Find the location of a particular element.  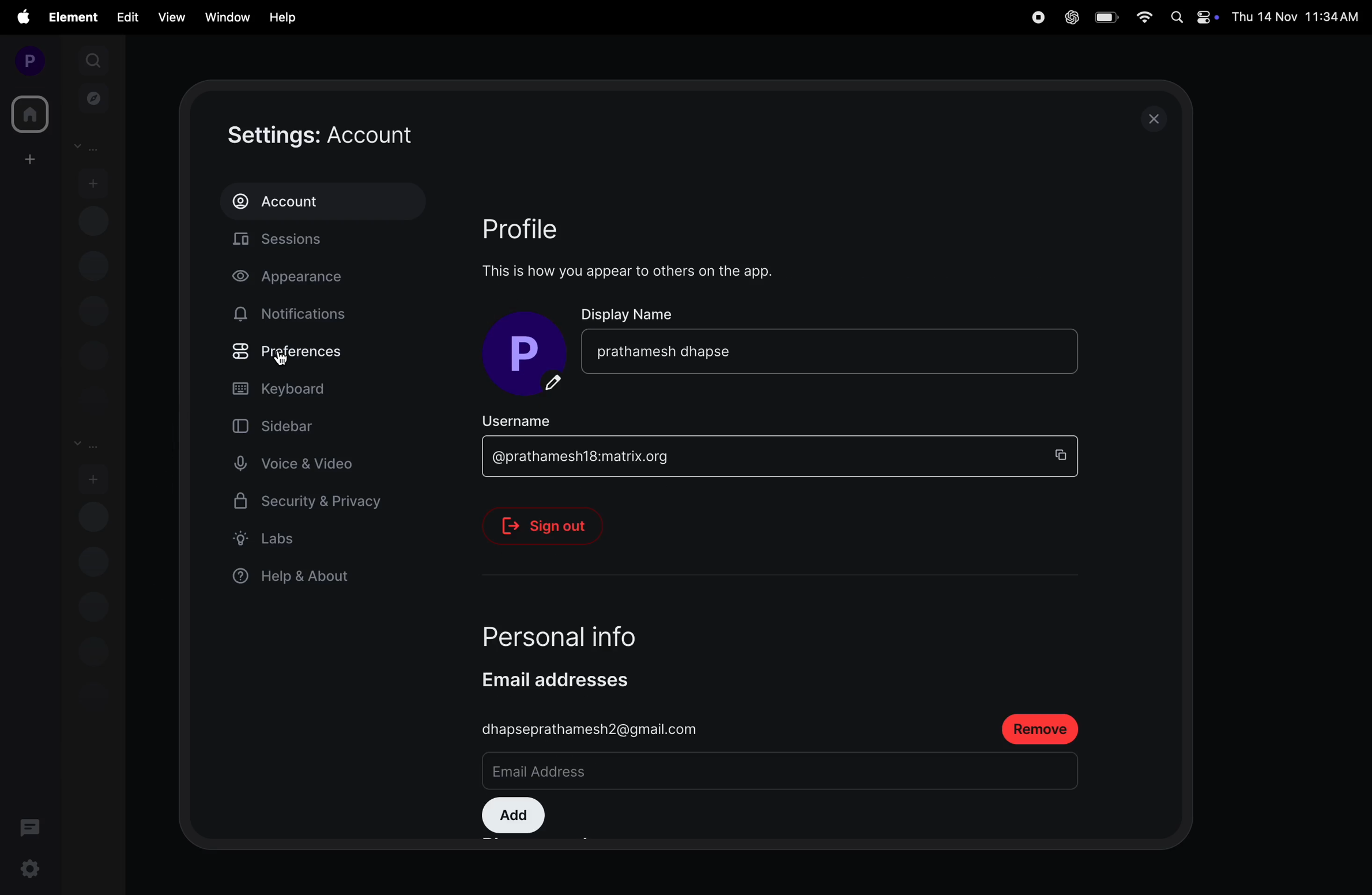

explore rooms is located at coordinates (94, 101).